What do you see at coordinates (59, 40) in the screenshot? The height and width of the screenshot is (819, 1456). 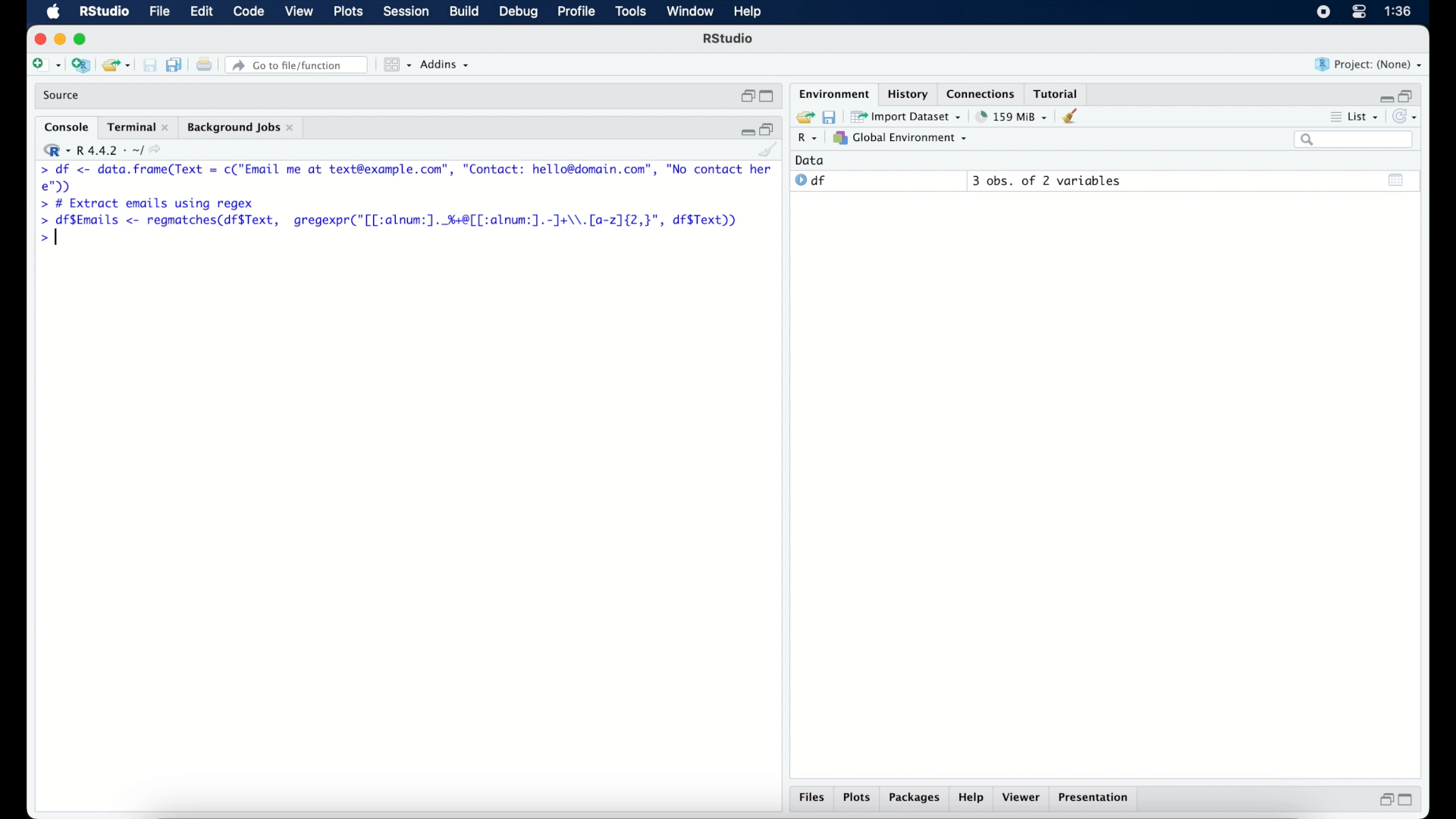 I see `minimize` at bounding box center [59, 40].